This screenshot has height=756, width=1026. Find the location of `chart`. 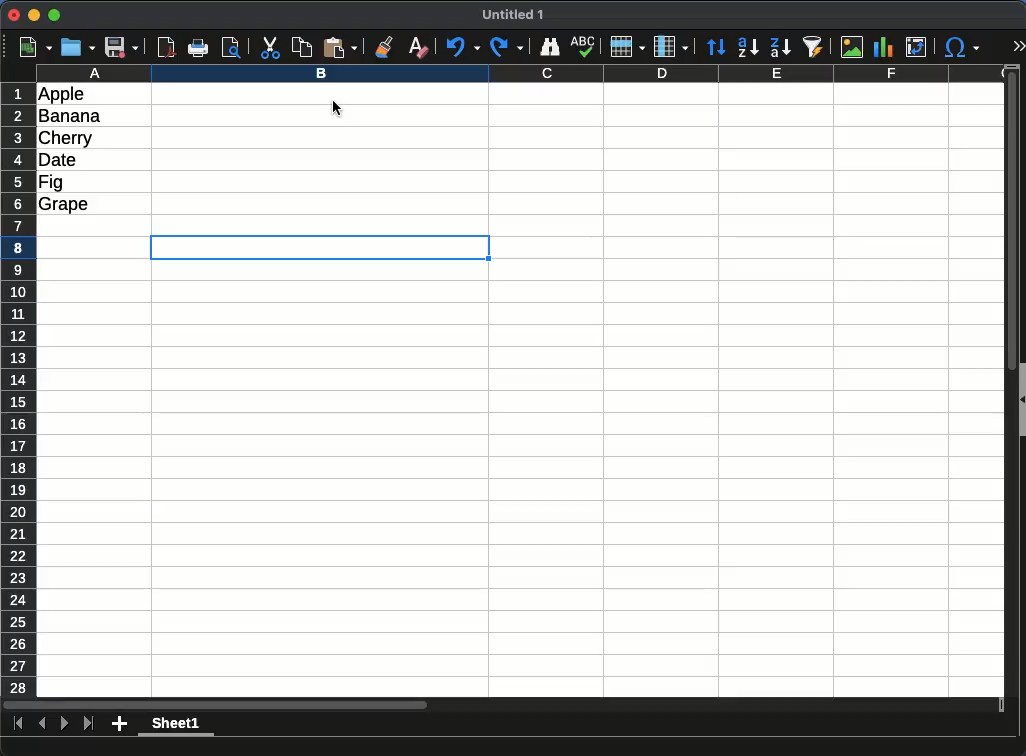

chart is located at coordinates (884, 47).